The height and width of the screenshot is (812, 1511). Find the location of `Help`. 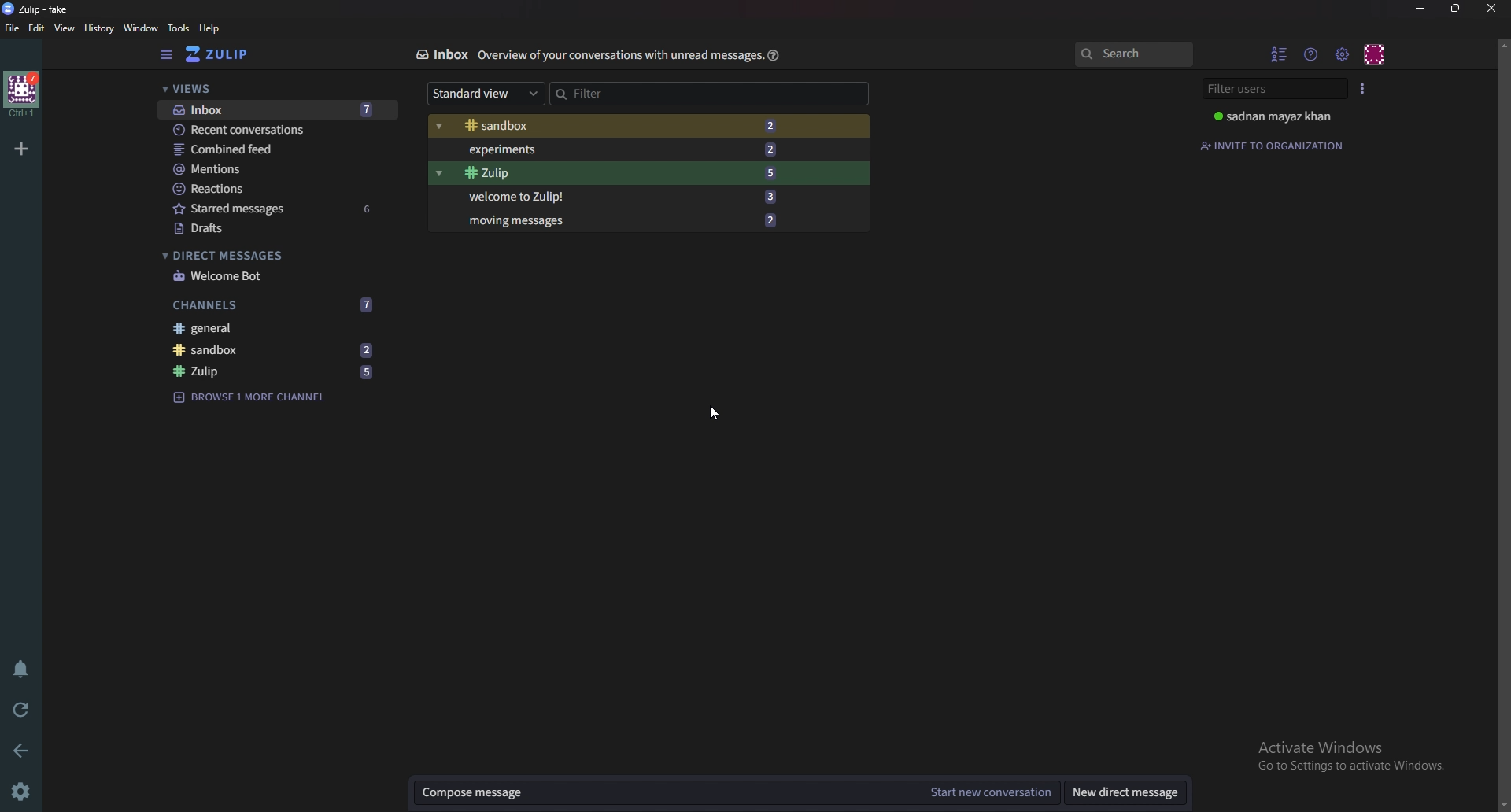

Help is located at coordinates (771, 55).